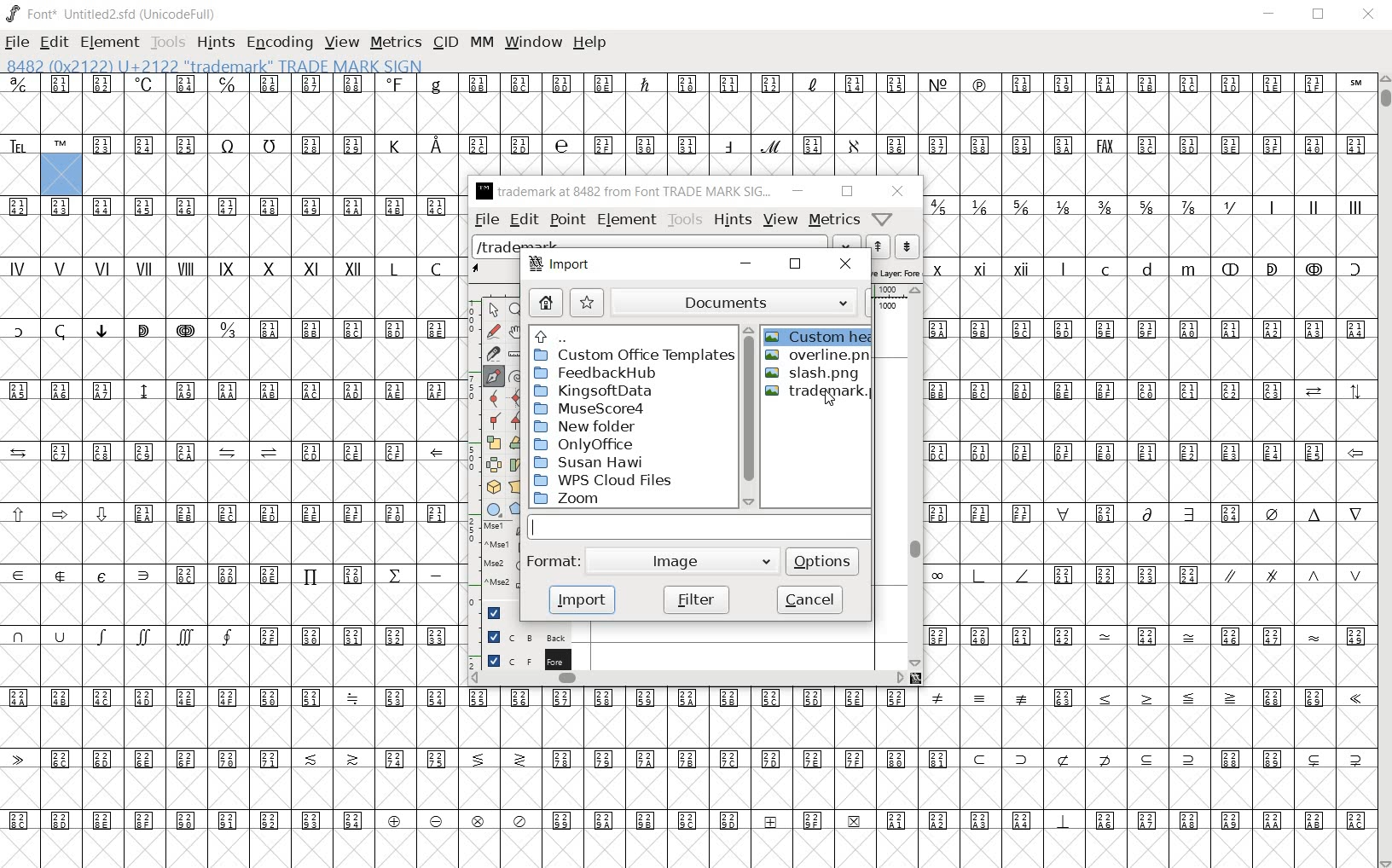 This screenshot has height=868, width=1392. I want to click on options, so click(823, 560).